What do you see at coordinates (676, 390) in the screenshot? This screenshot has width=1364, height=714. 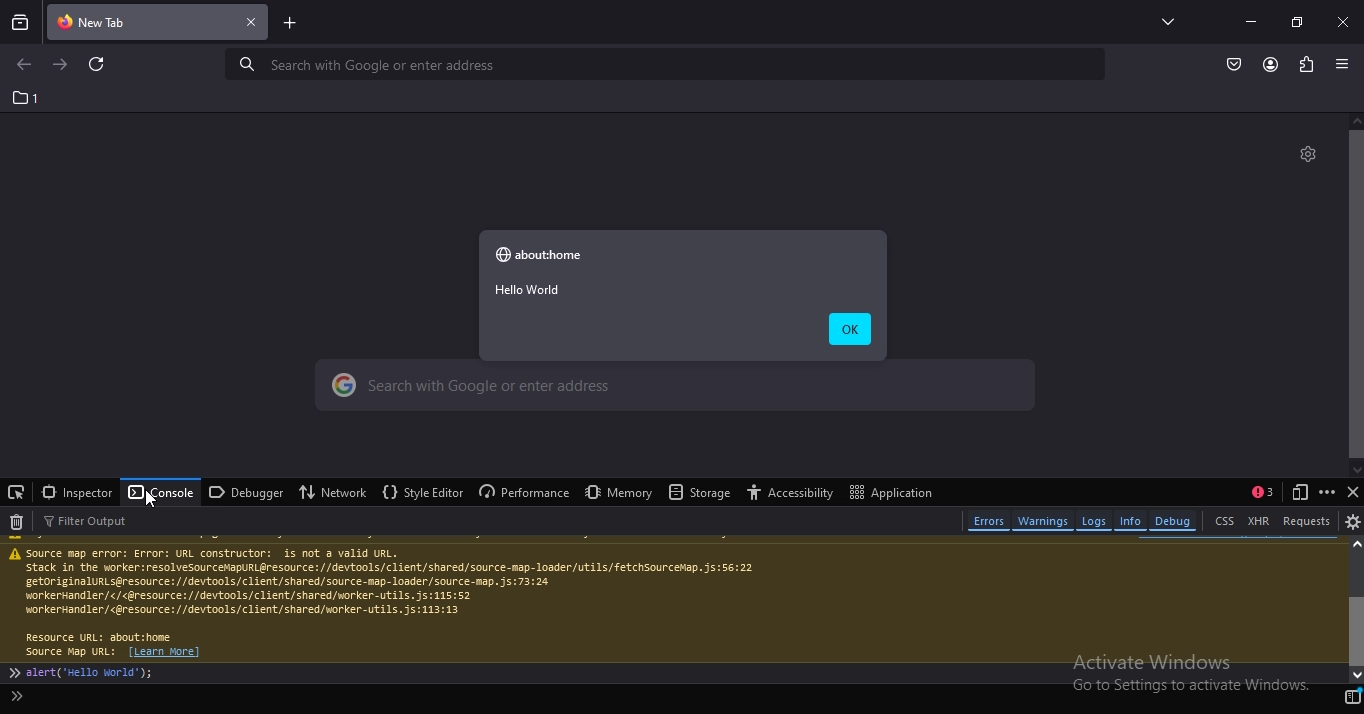 I see `search` at bounding box center [676, 390].